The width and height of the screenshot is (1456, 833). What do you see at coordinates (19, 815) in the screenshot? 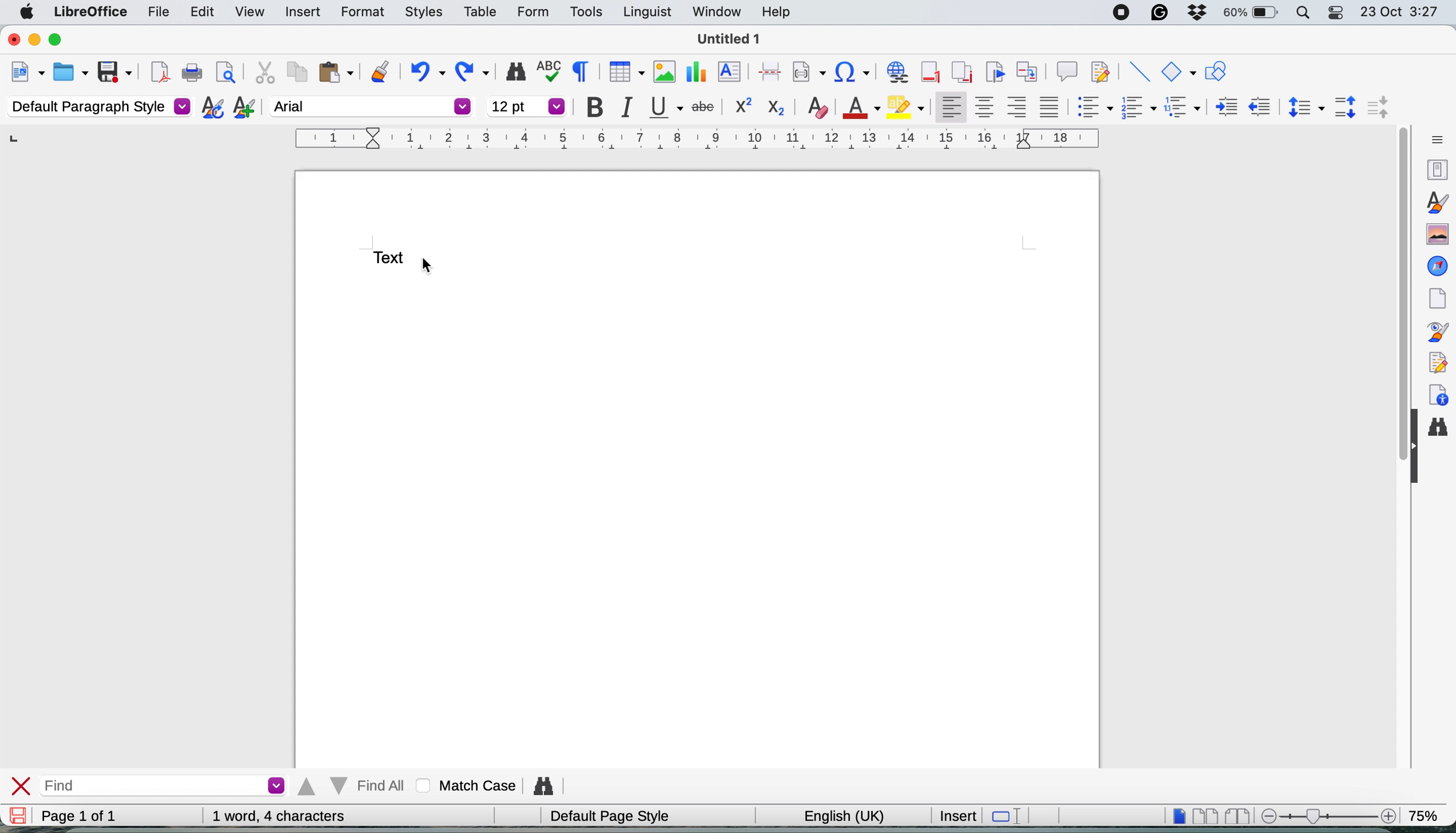
I see `save` at bounding box center [19, 815].